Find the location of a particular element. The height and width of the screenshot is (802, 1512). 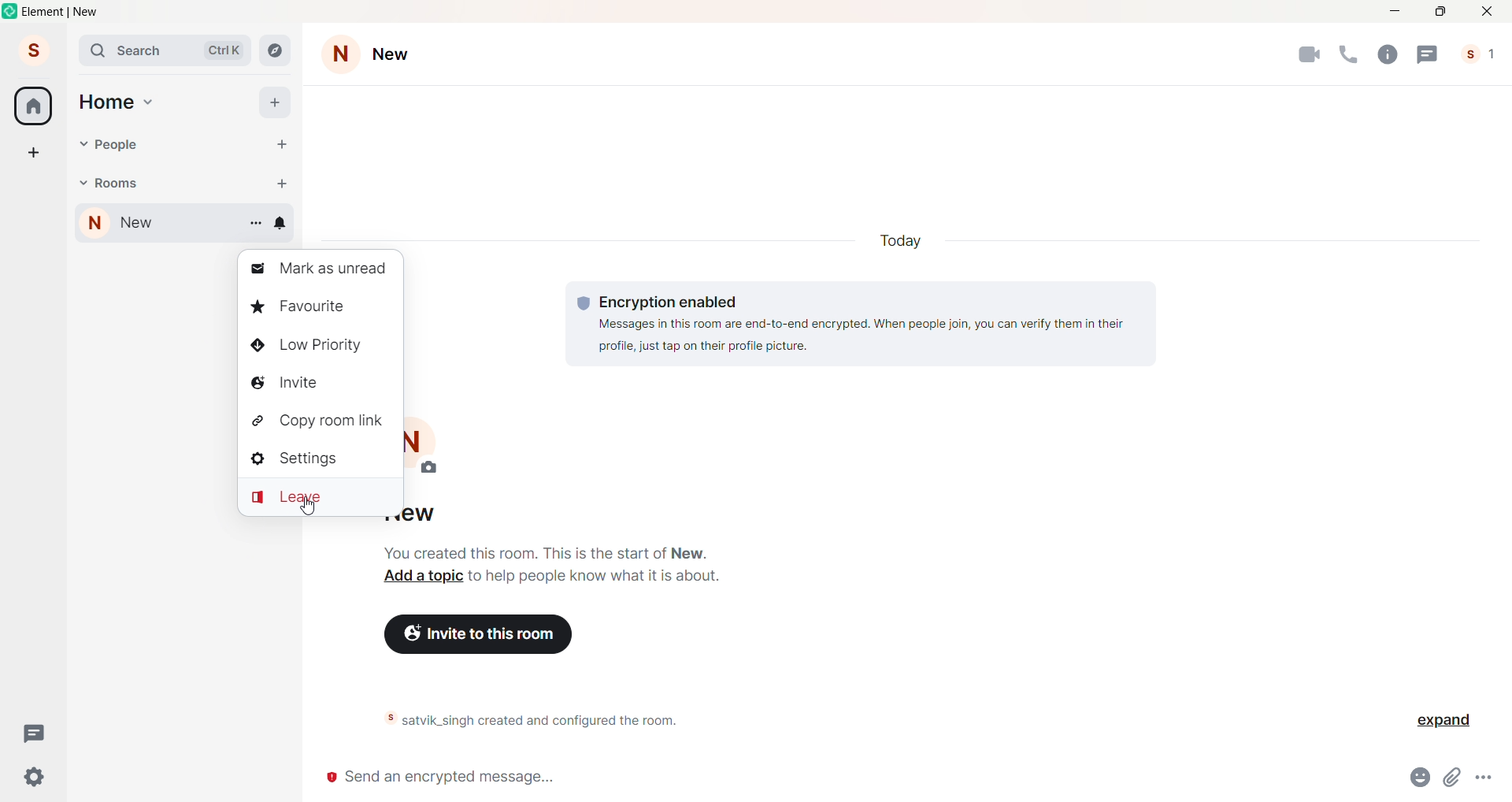

new is located at coordinates (151, 225).